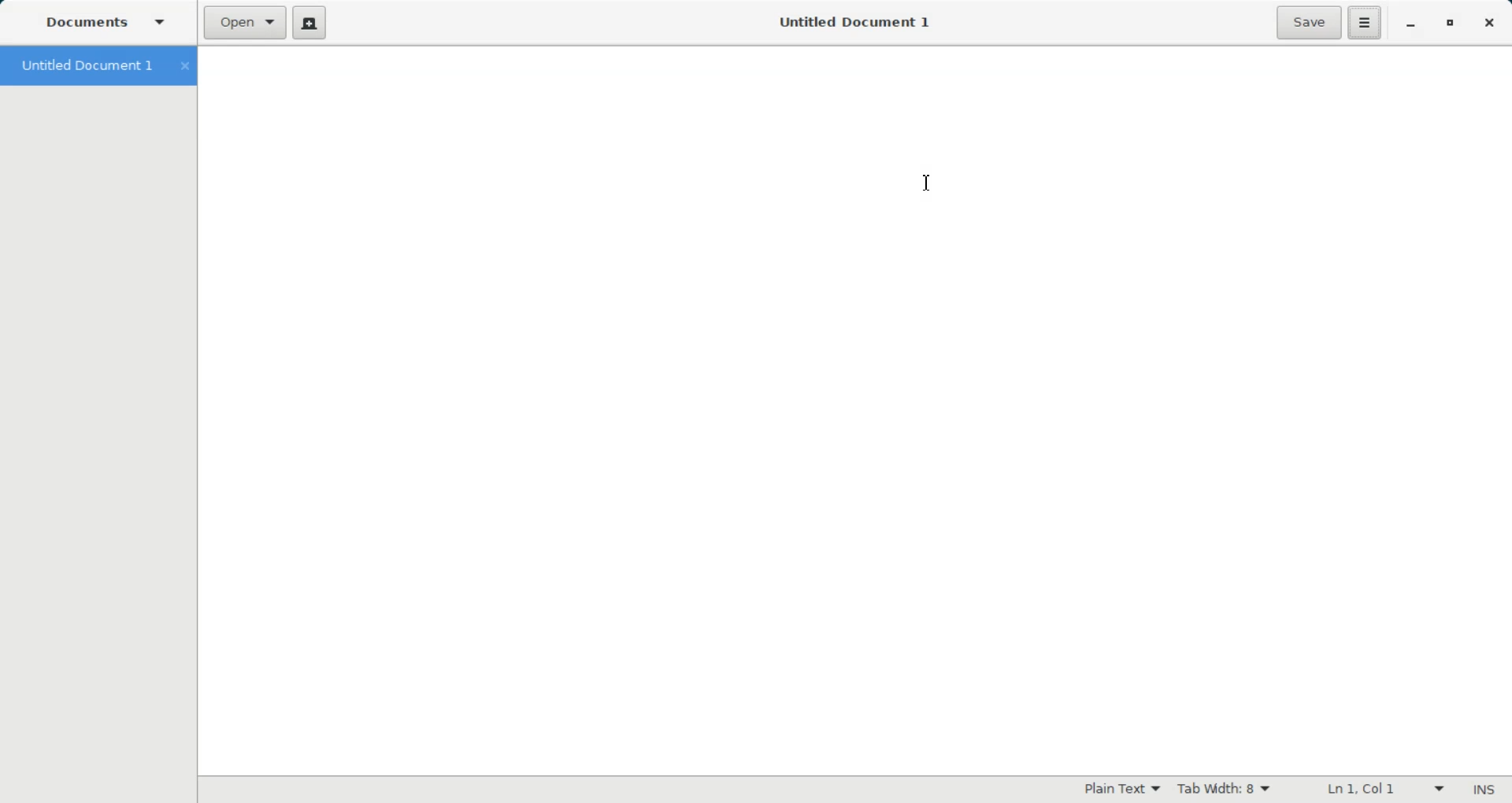  I want to click on Maximize, so click(1451, 24).